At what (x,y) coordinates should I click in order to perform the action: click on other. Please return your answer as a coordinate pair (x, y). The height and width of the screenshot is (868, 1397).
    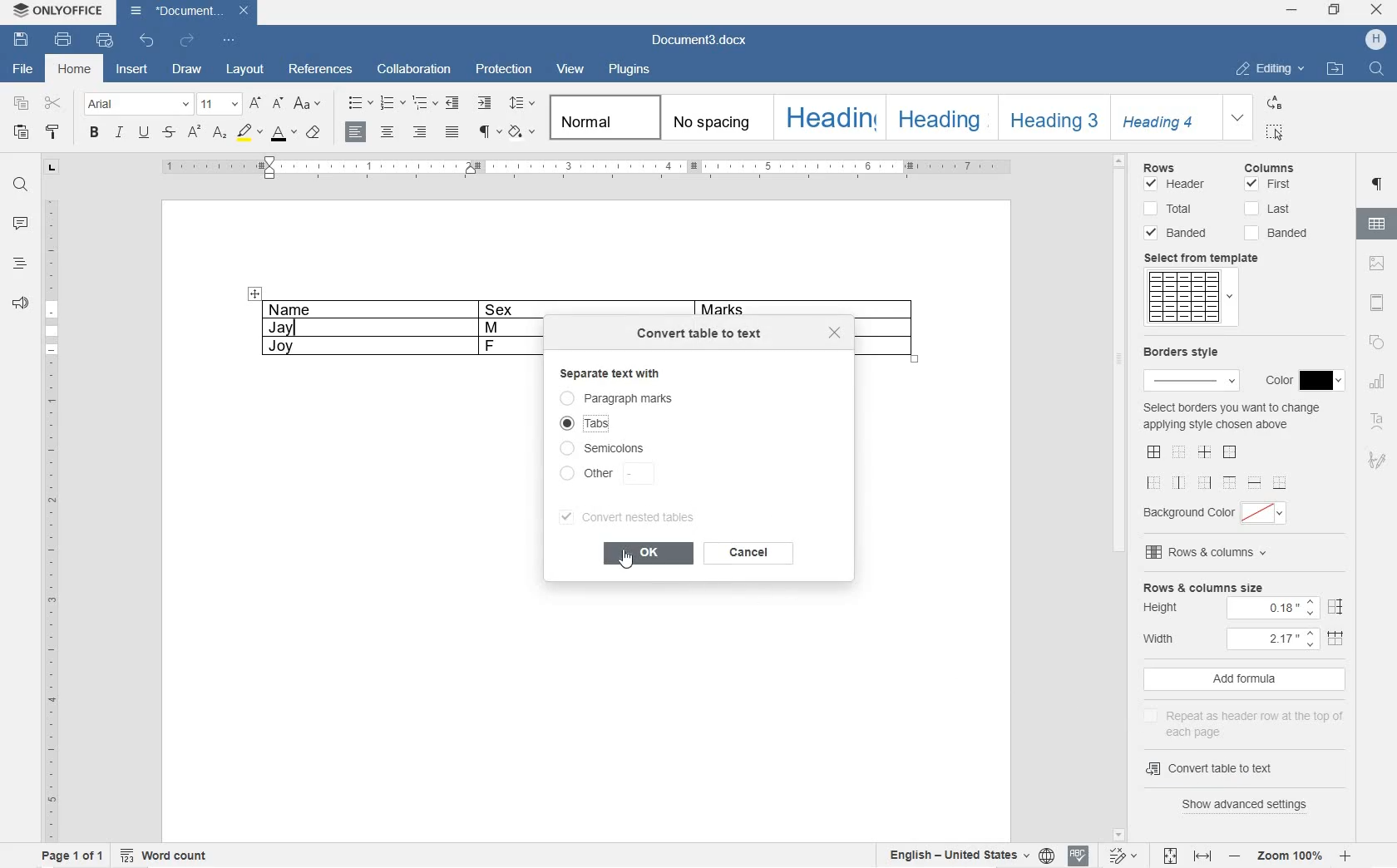
    Looking at the image, I should click on (605, 475).